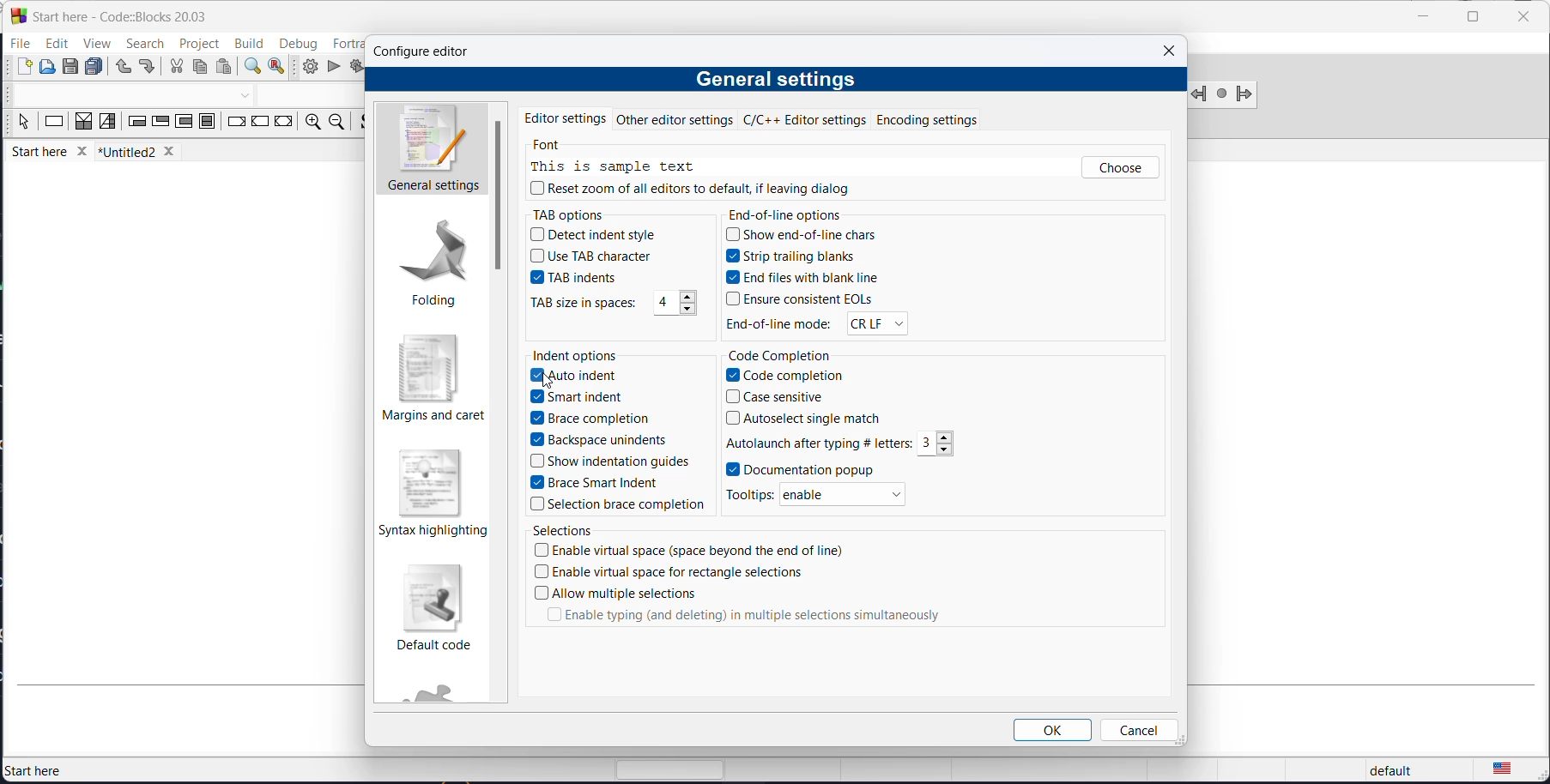  What do you see at coordinates (1051, 729) in the screenshot?
I see `ok` at bounding box center [1051, 729].